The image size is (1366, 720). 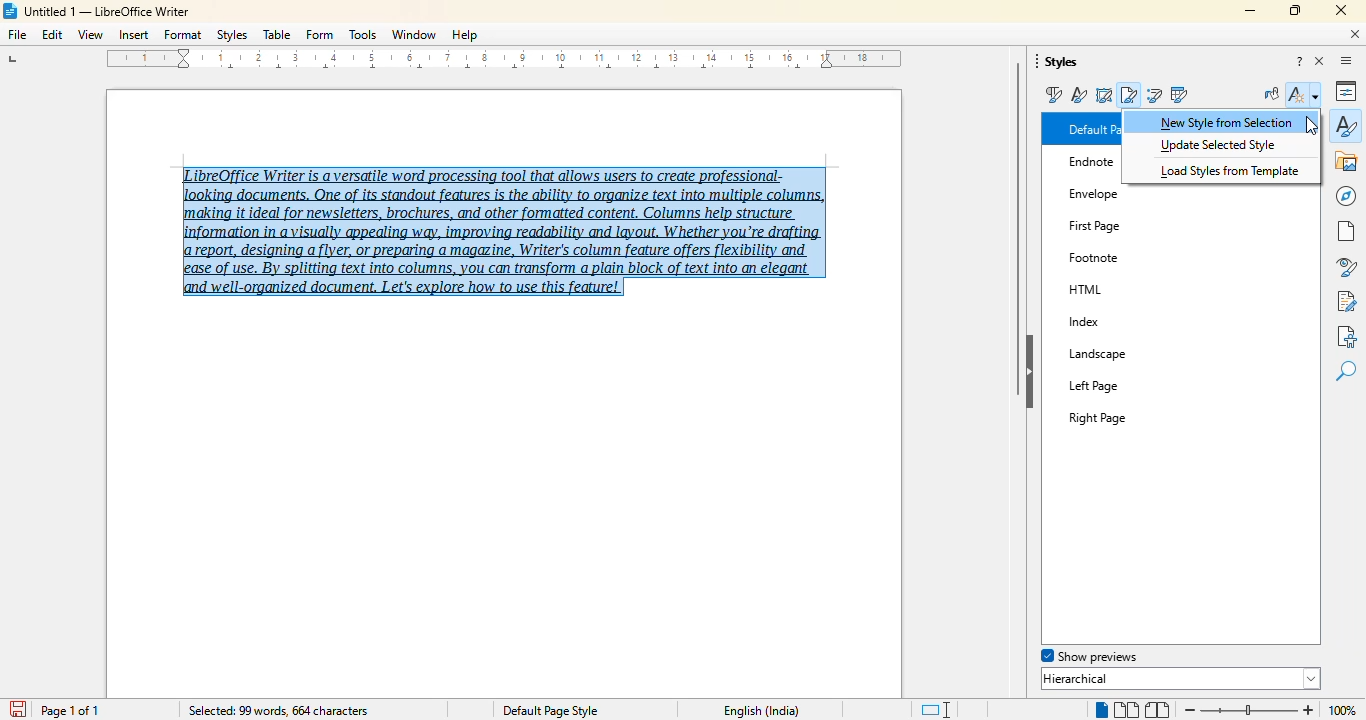 What do you see at coordinates (1321, 62) in the screenshot?
I see `close sidebar deck` at bounding box center [1321, 62].